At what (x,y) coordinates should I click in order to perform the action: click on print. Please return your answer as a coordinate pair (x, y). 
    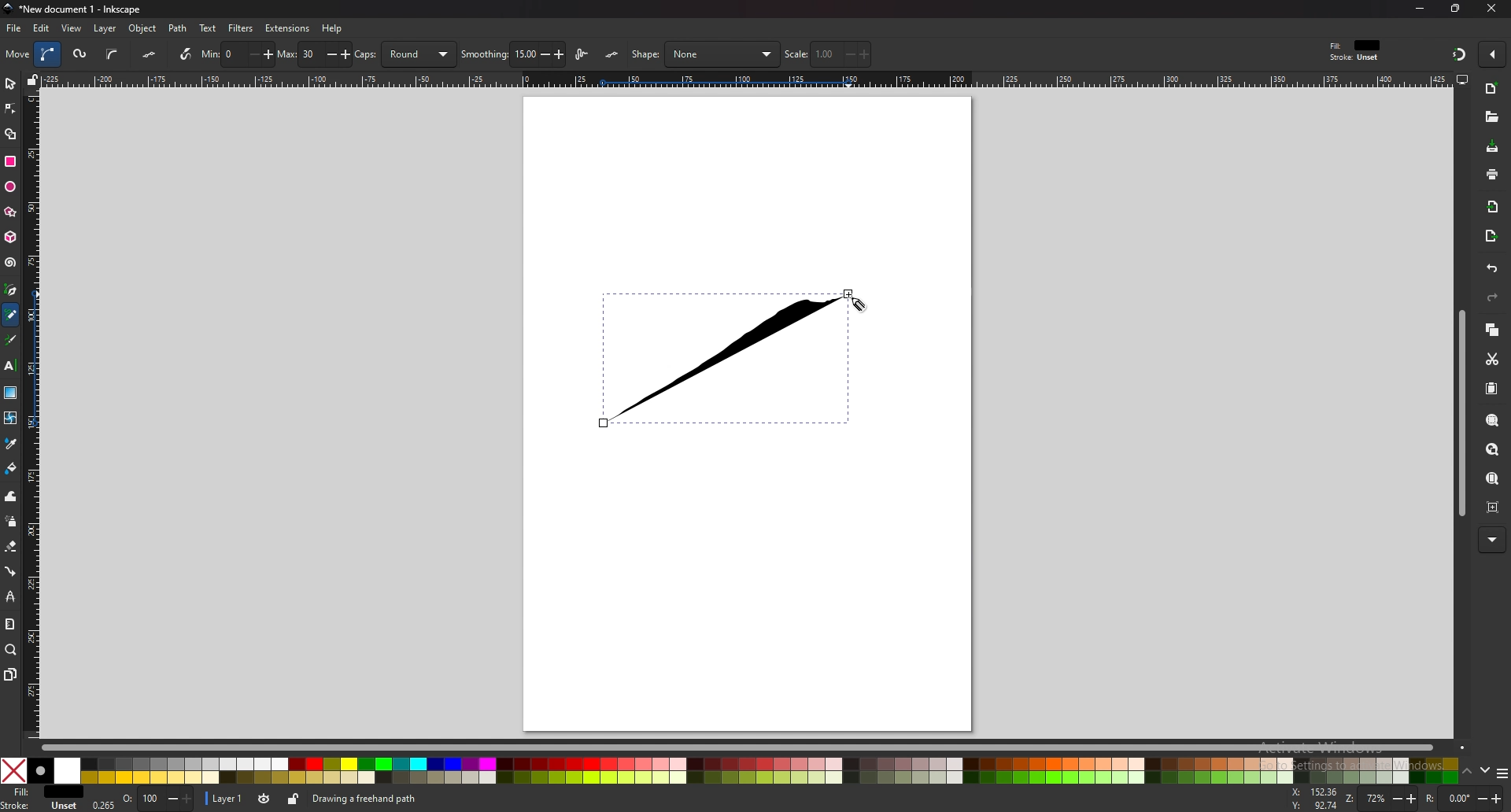
    Looking at the image, I should click on (1490, 174).